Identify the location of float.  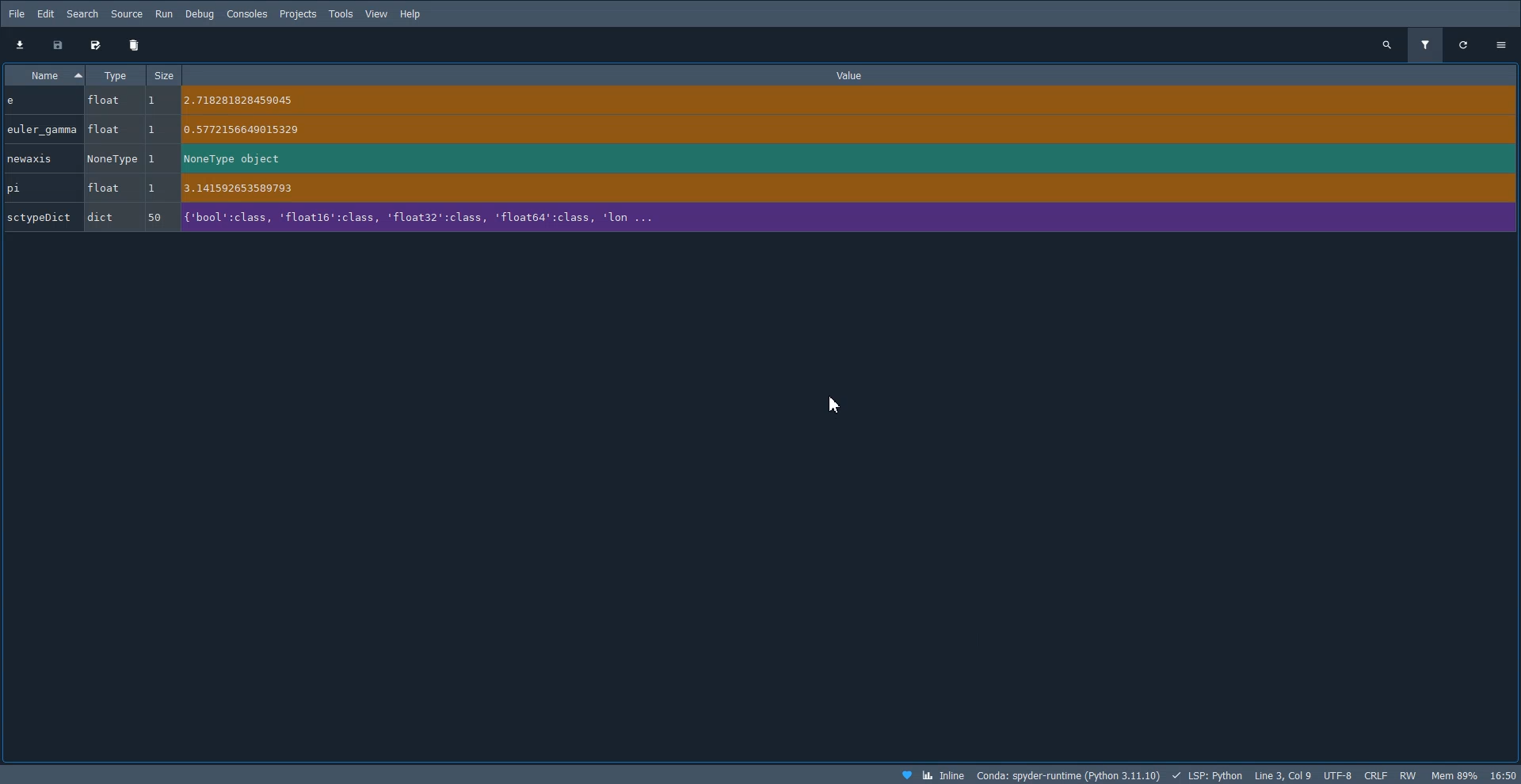
(104, 188).